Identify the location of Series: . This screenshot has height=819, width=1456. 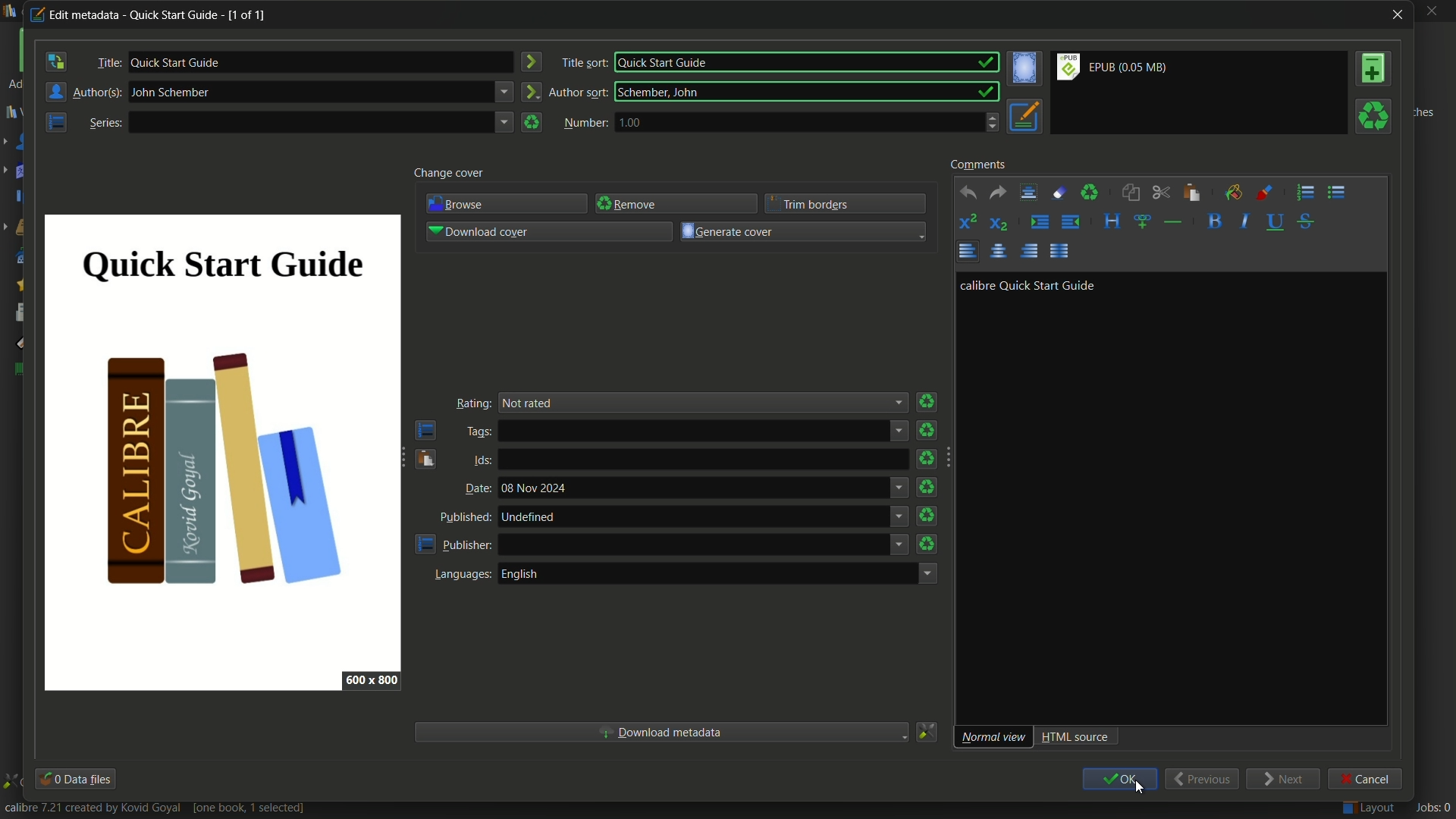
(105, 124).